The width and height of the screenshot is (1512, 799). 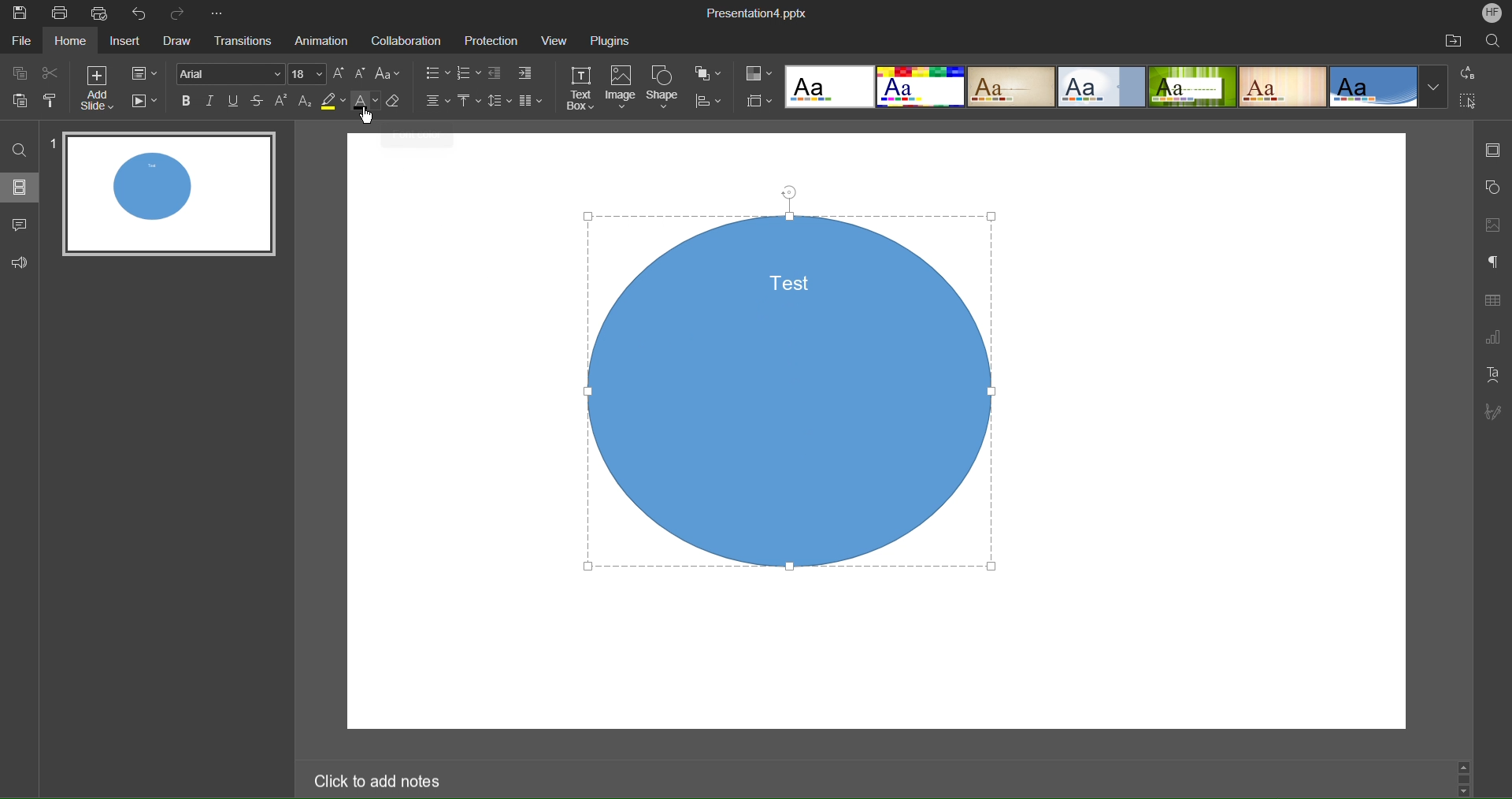 I want to click on Numbering , so click(x=472, y=72).